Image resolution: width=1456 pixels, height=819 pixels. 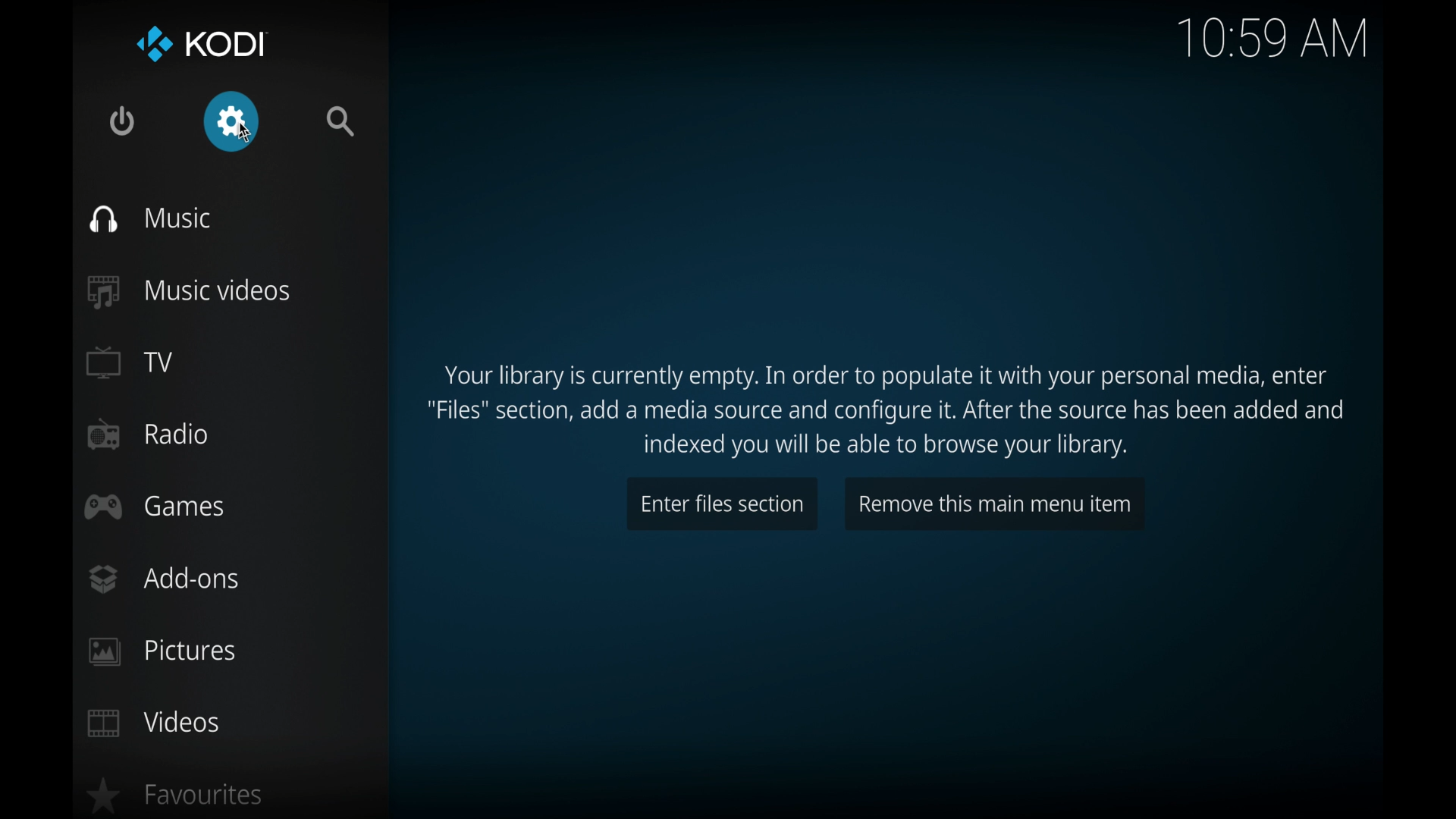 What do you see at coordinates (996, 504) in the screenshot?
I see `remove this main menu item` at bounding box center [996, 504].